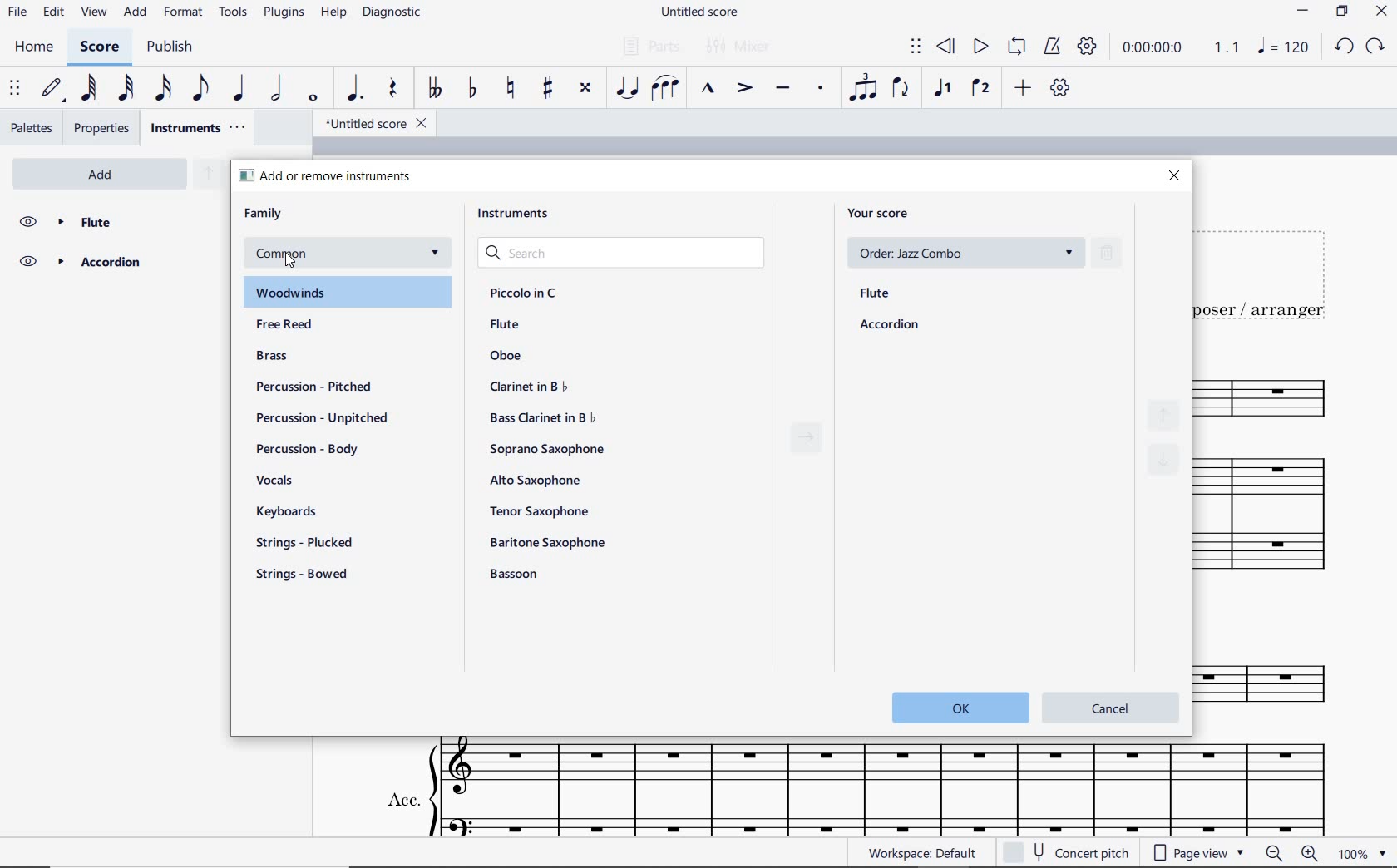  I want to click on free reed, so click(289, 326).